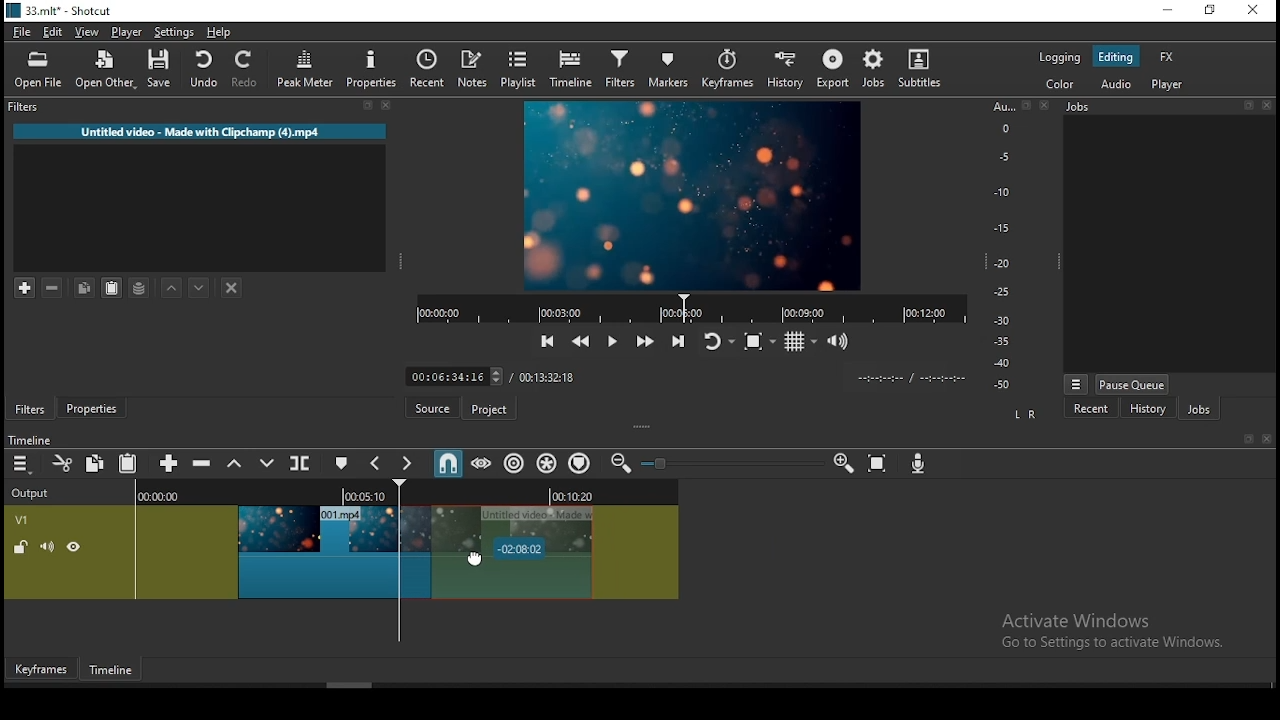  Describe the element at coordinates (921, 466) in the screenshot. I see `` at that location.